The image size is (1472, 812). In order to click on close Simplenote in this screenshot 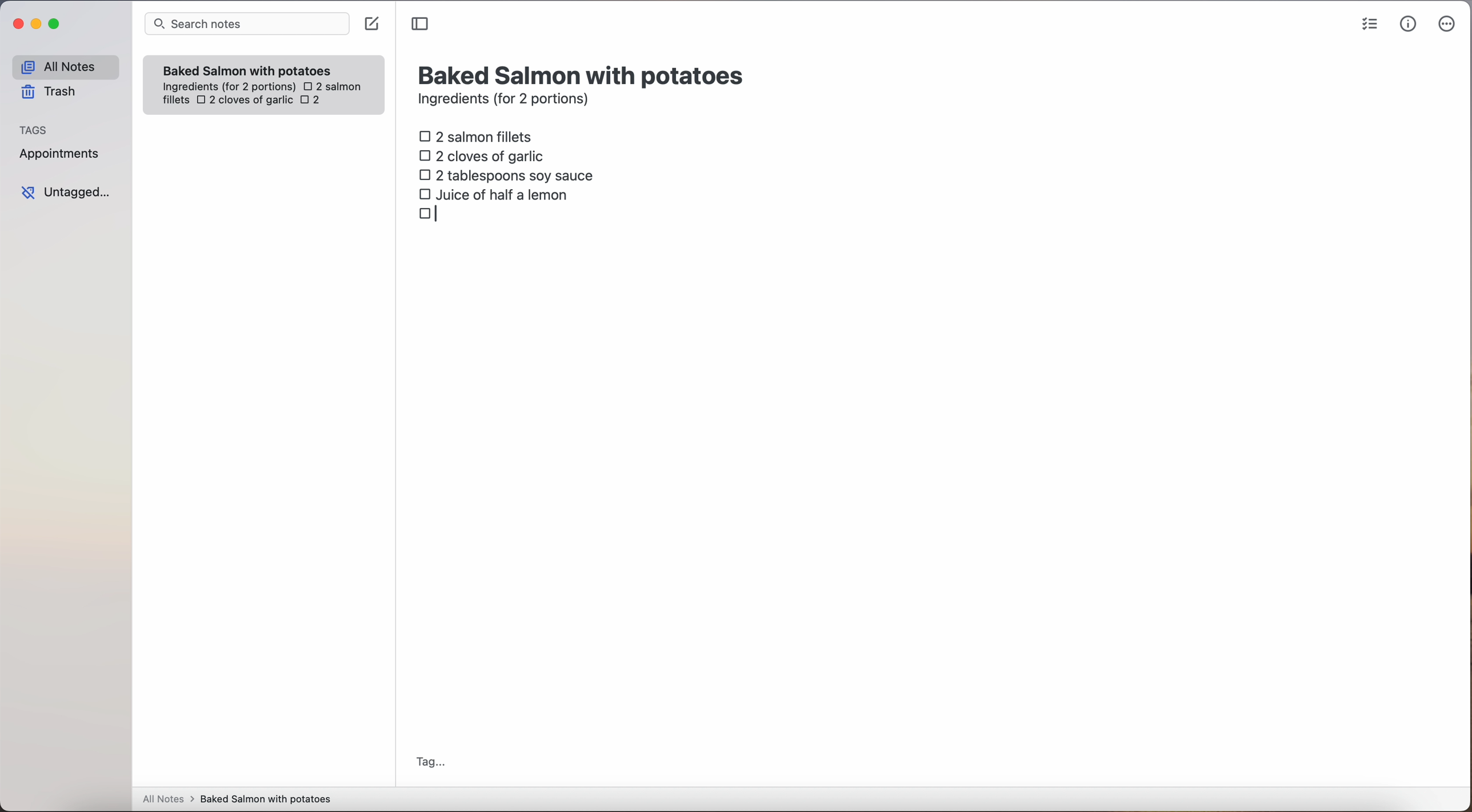, I will do `click(17, 25)`.